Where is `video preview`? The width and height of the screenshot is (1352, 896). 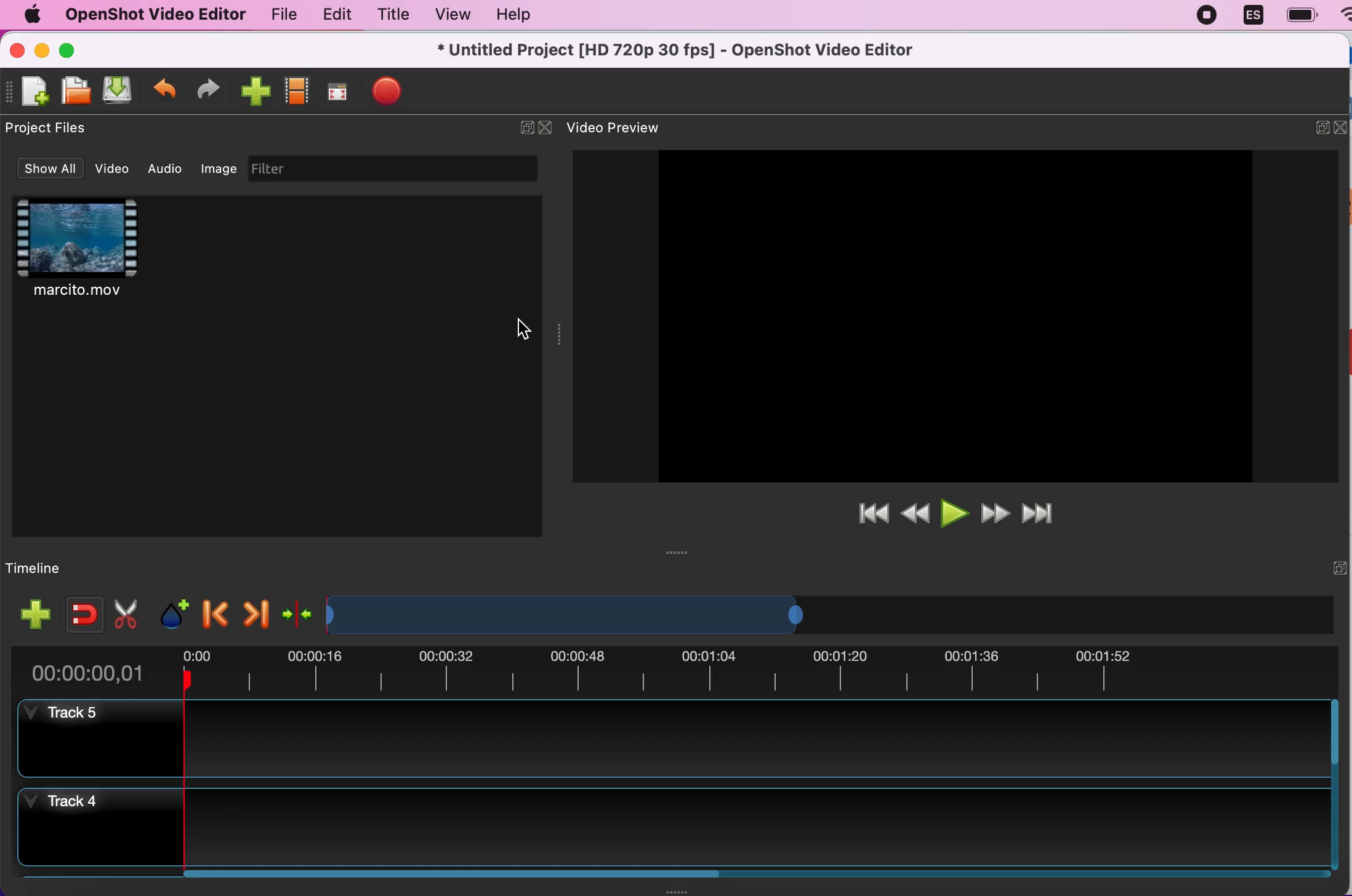 video preview is located at coordinates (943, 313).